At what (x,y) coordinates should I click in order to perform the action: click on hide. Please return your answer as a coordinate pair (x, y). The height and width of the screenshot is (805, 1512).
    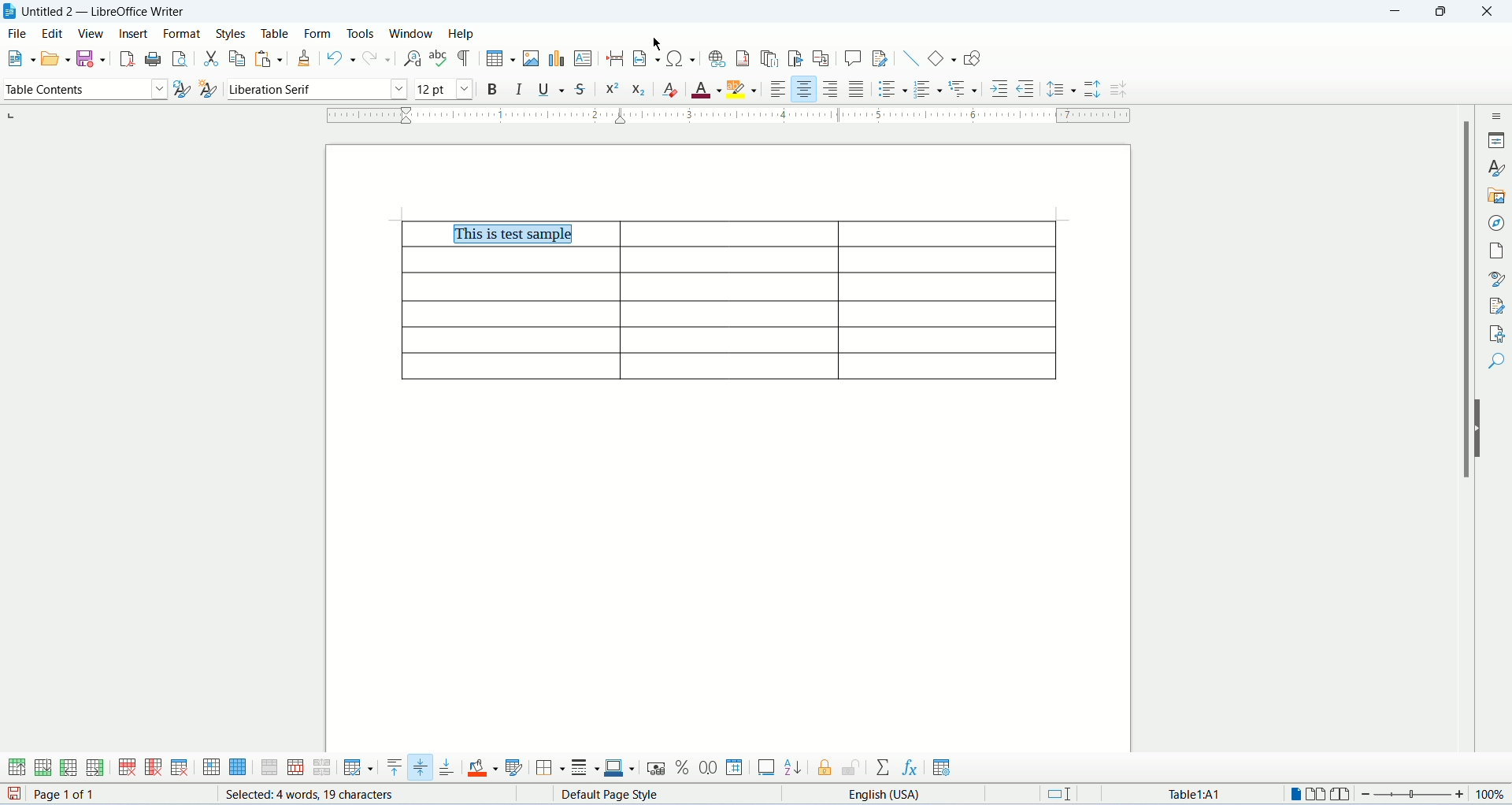
    Looking at the image, I should click on (1480, 428).